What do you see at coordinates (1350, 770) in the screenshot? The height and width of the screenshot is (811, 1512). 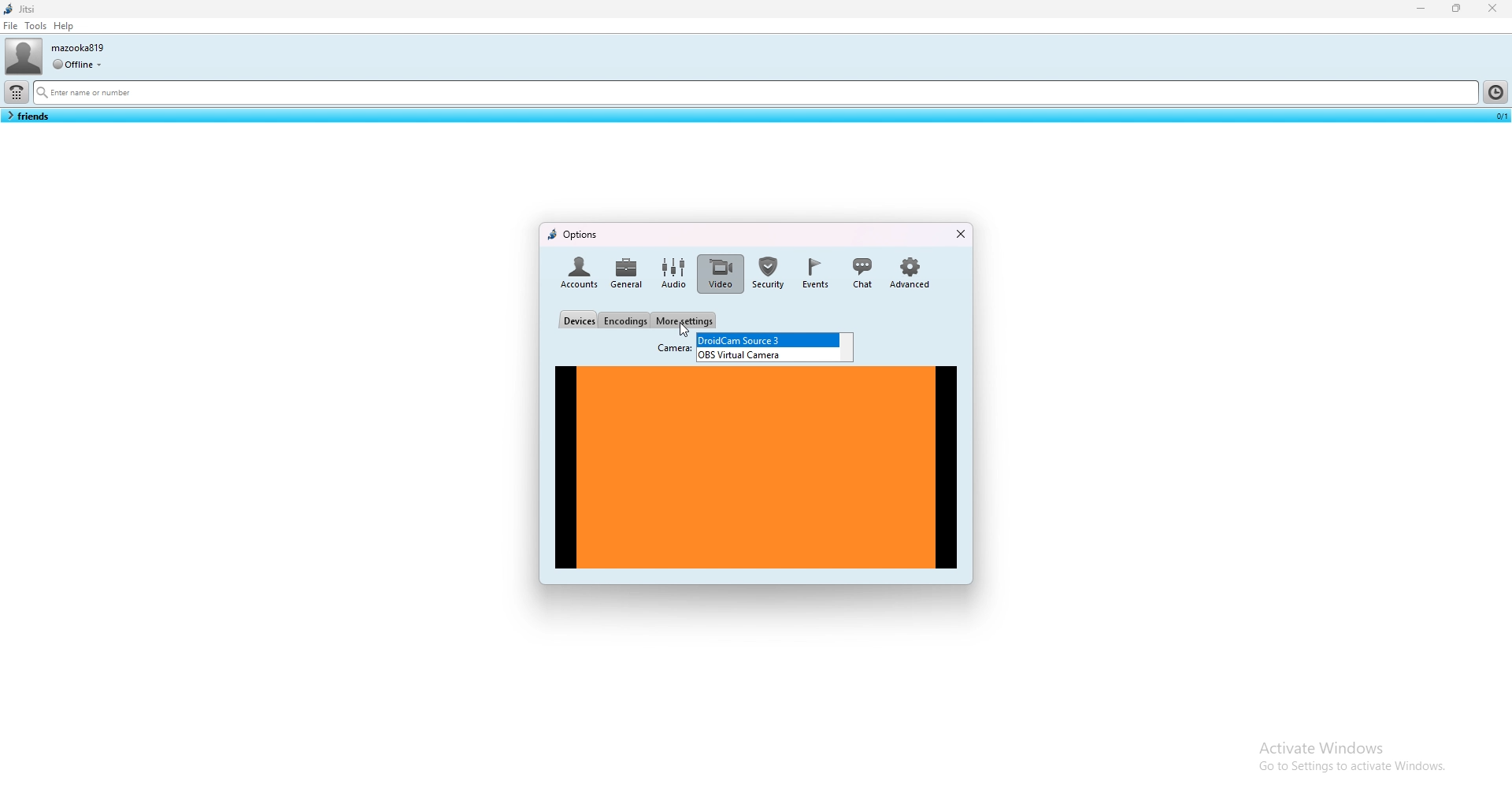 I see `Go to settings to activate Windows.` at bounding box center [1350, 770].